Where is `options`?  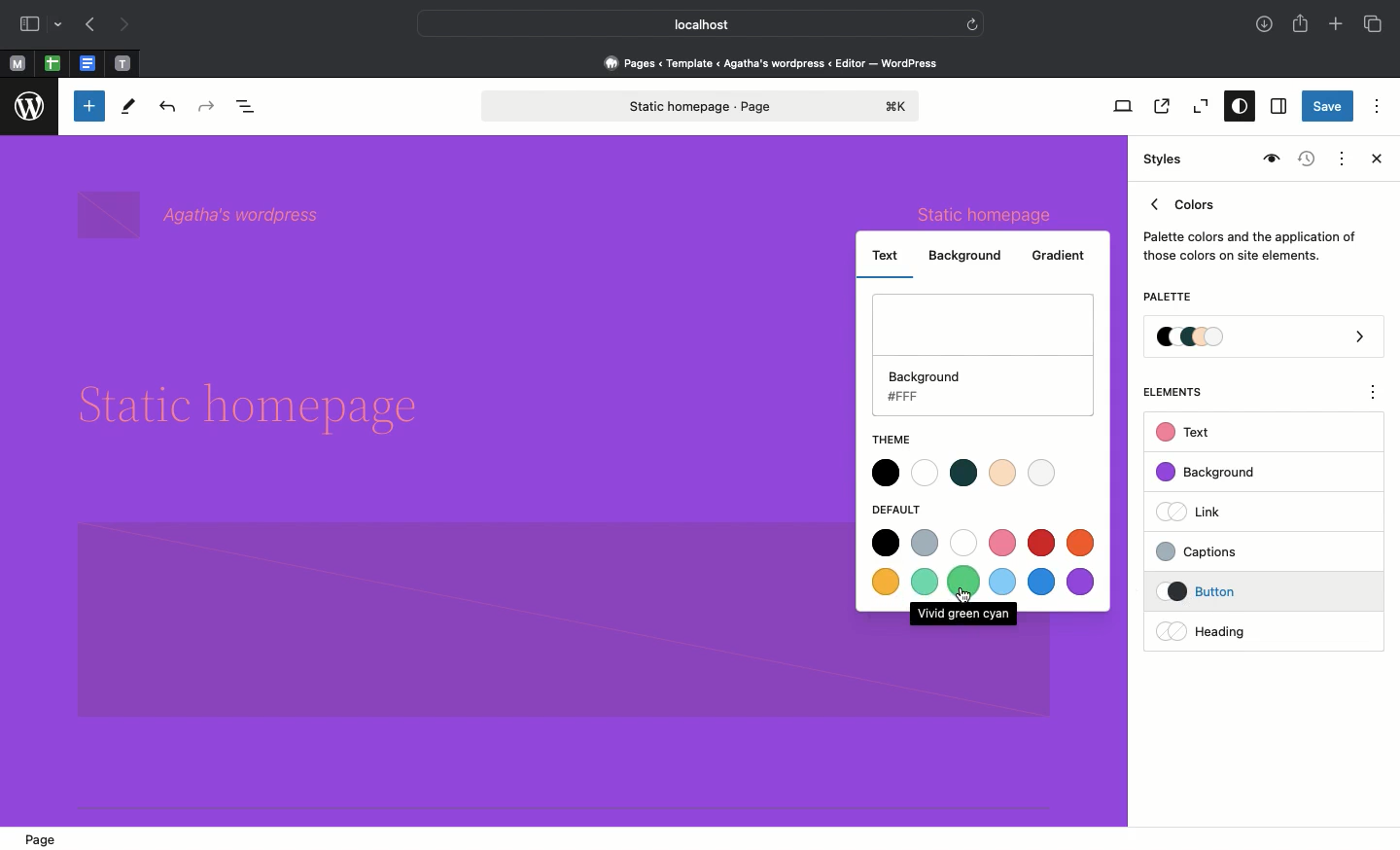 options is located at coordinates (1374, 395).